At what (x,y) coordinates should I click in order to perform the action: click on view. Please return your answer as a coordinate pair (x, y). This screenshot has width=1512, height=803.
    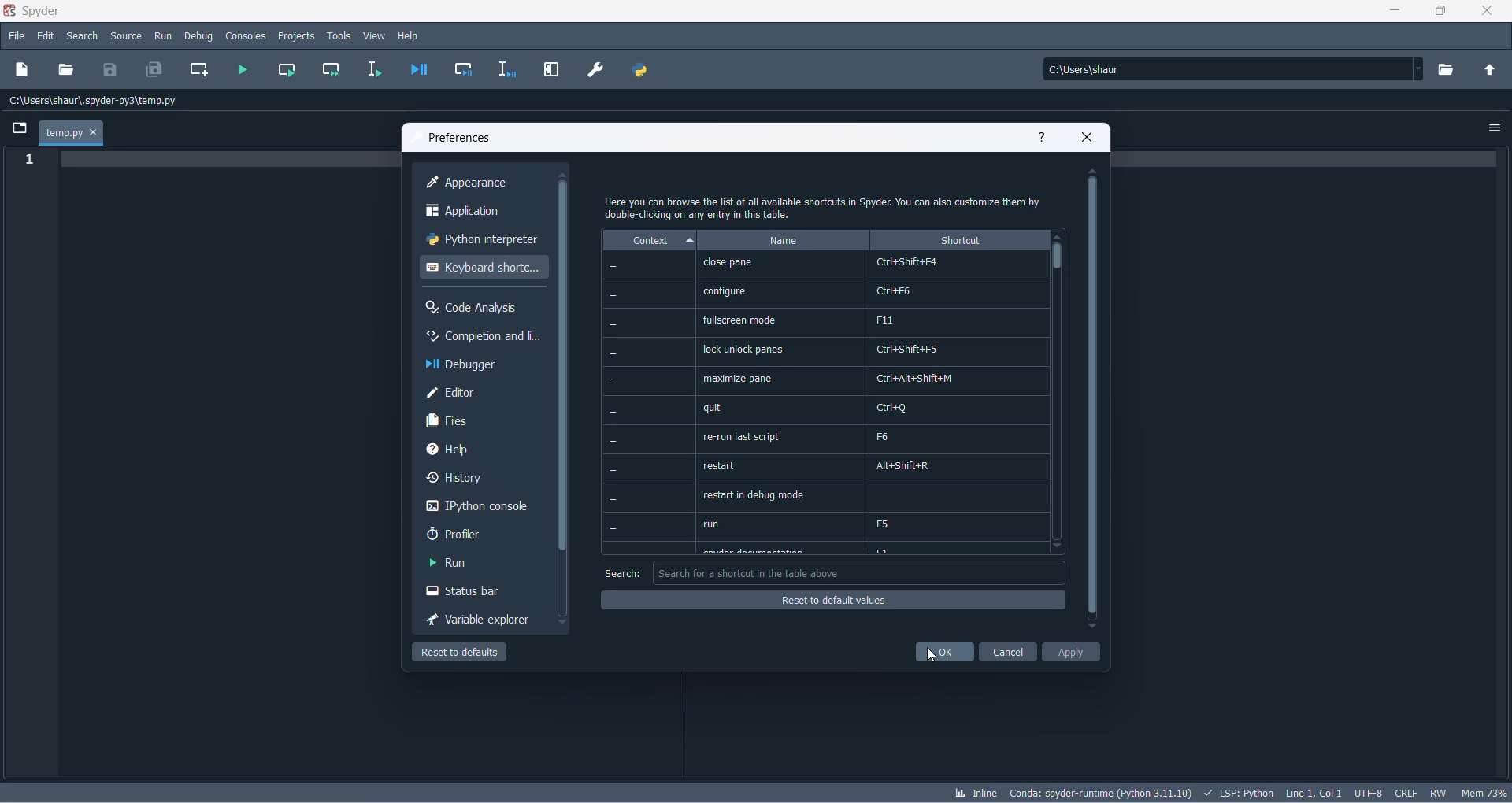
    Looking at the image, I should click on (376, 36).